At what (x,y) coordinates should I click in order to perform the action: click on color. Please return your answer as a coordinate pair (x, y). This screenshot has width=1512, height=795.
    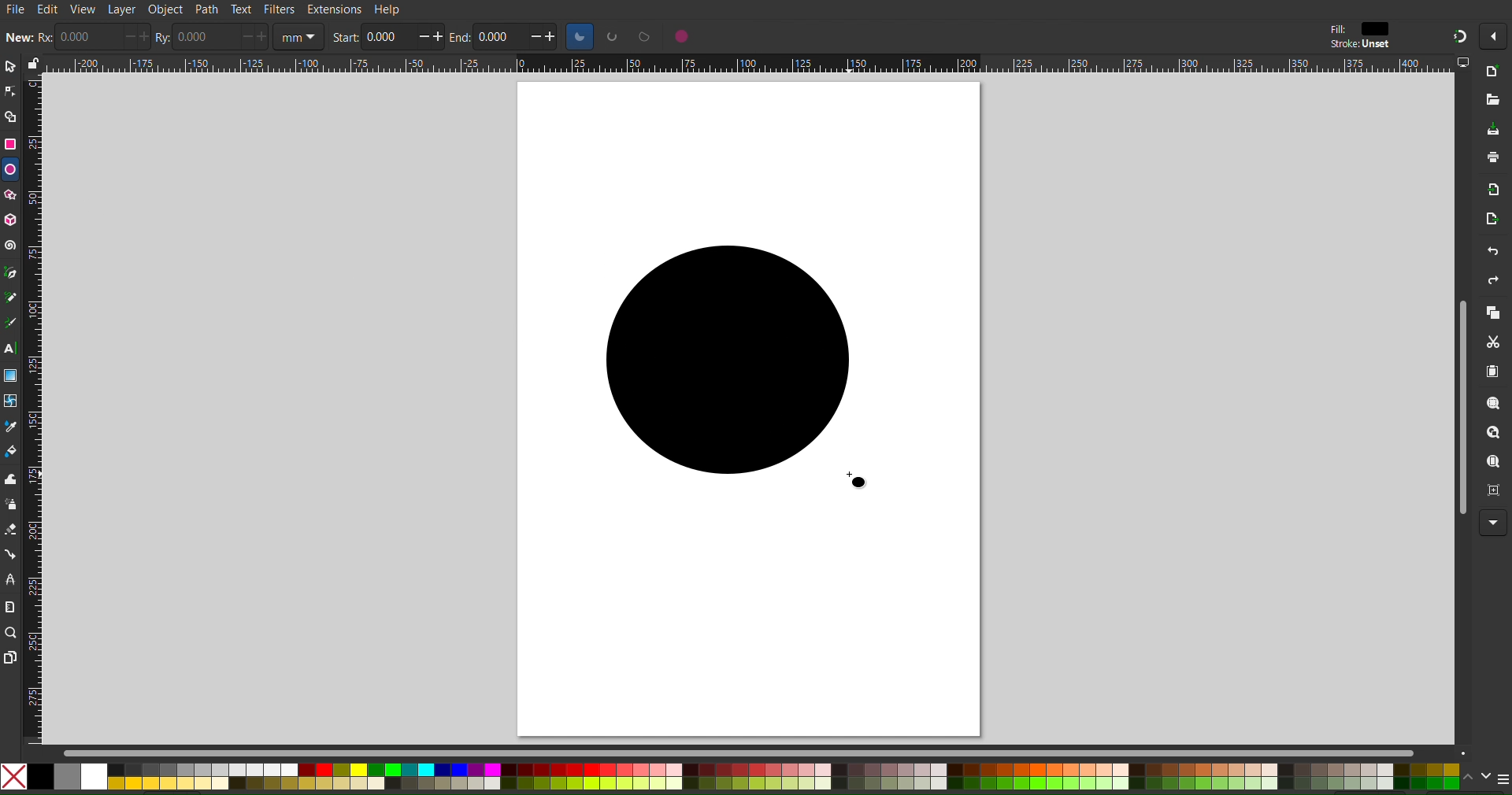
    Looking at the image, I should click on (1377, 28).